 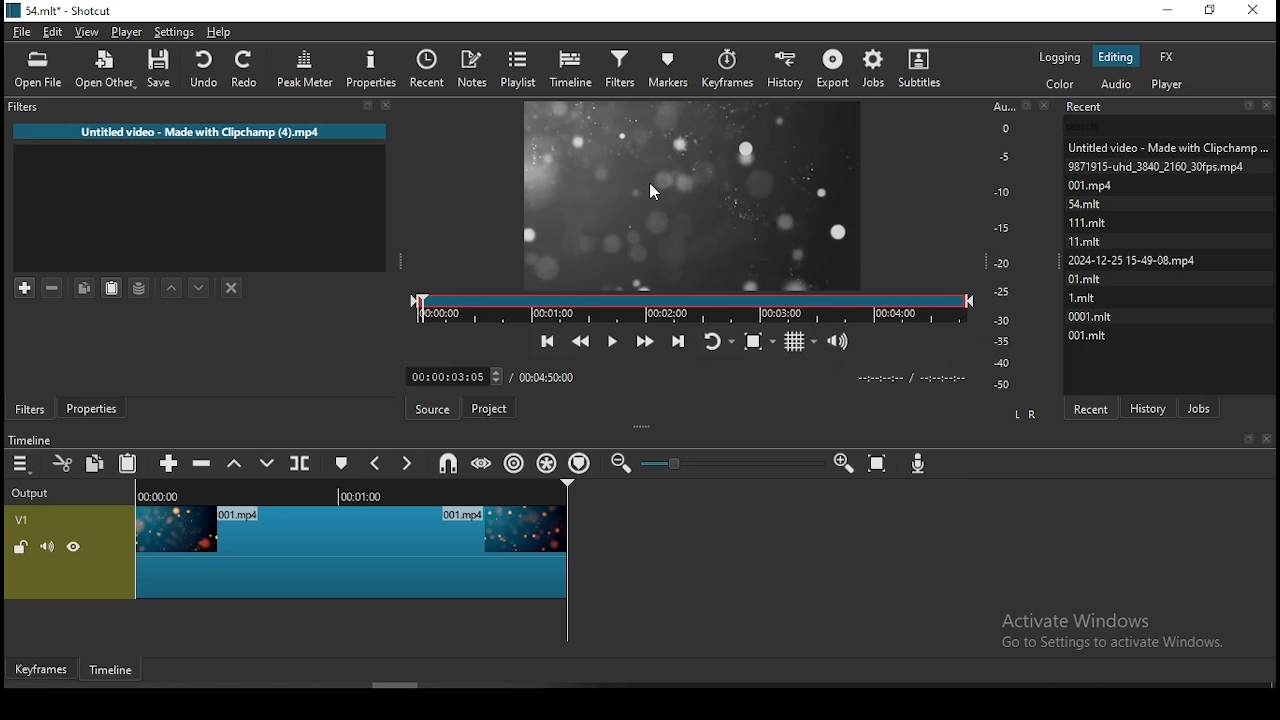 I want to click on copy, so click(x=94, y=462).